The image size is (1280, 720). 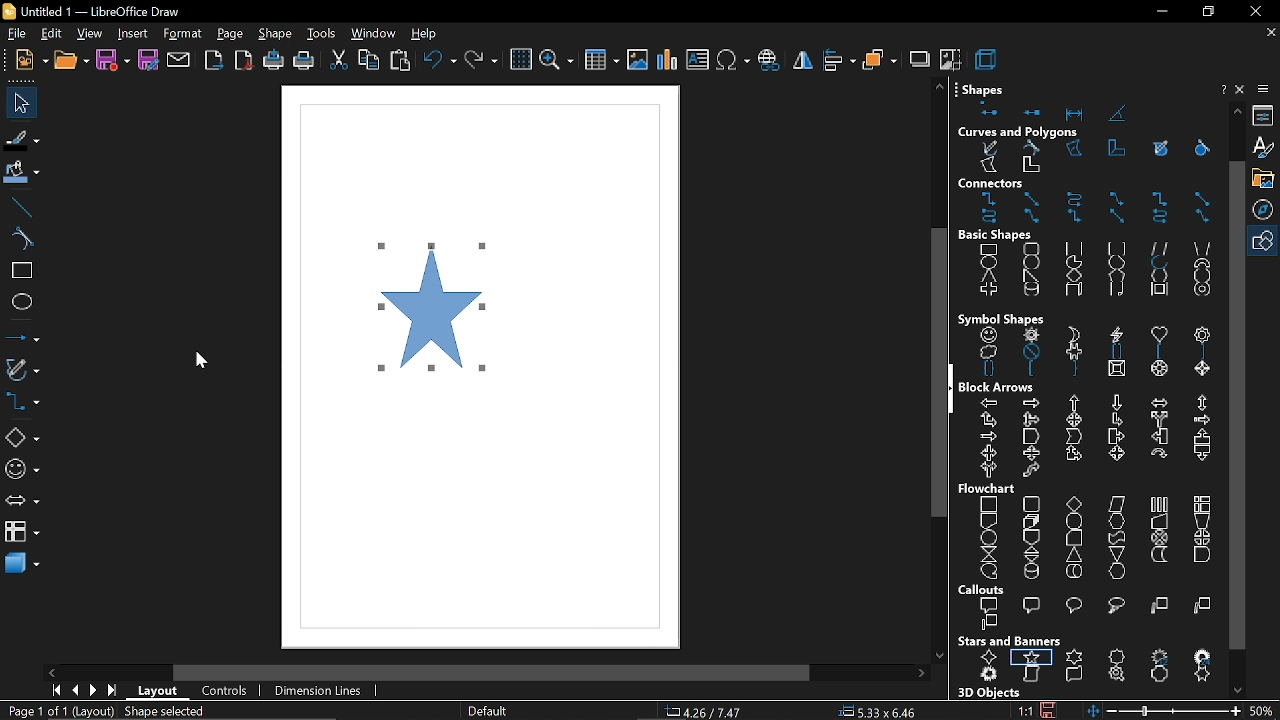 What do you see at coordinates (638, 60) in the screenshot?
I see `insert image` at bounding box center [638, 60].